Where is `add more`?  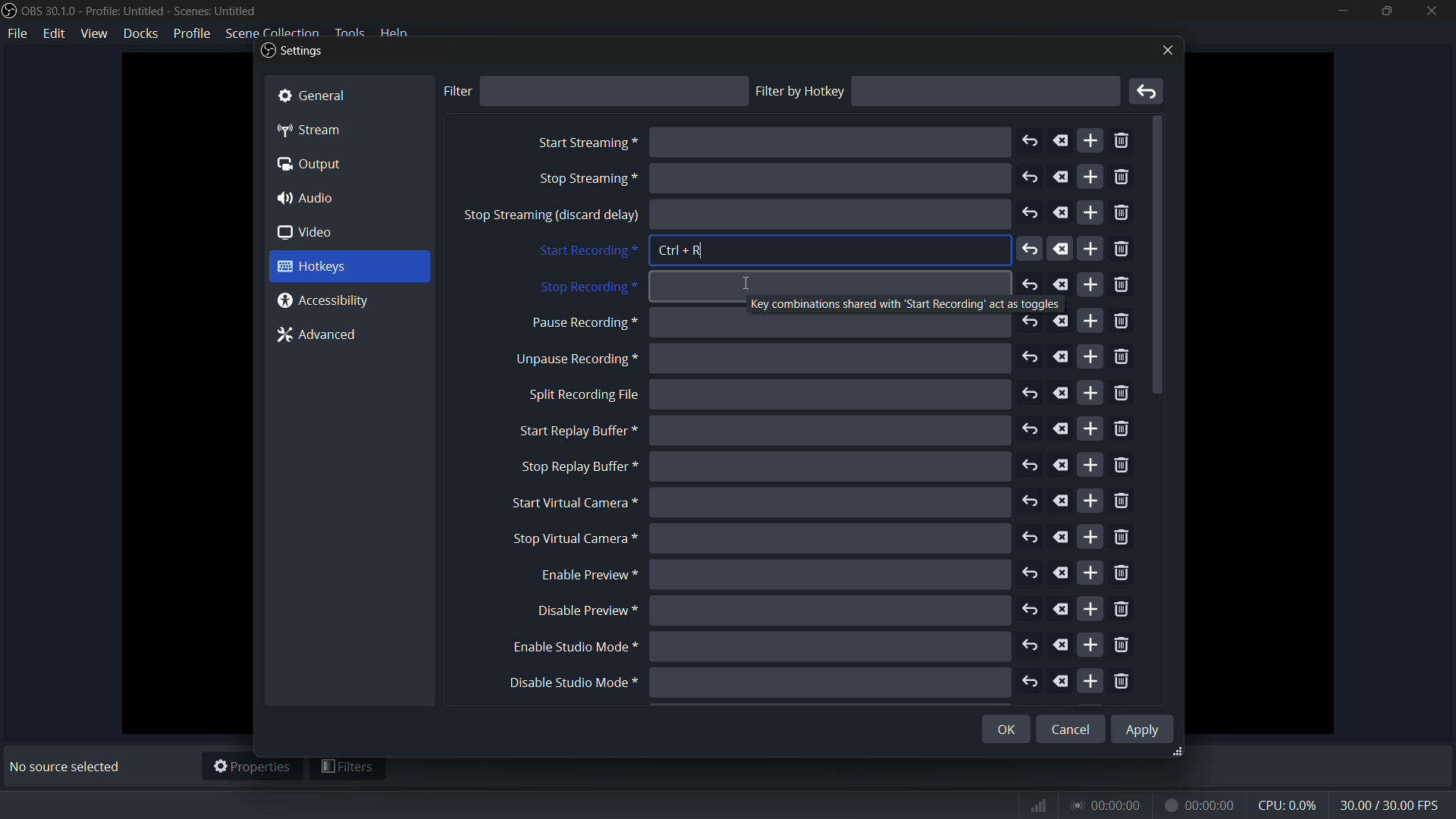 add more is located at coordinates (1090, 574).